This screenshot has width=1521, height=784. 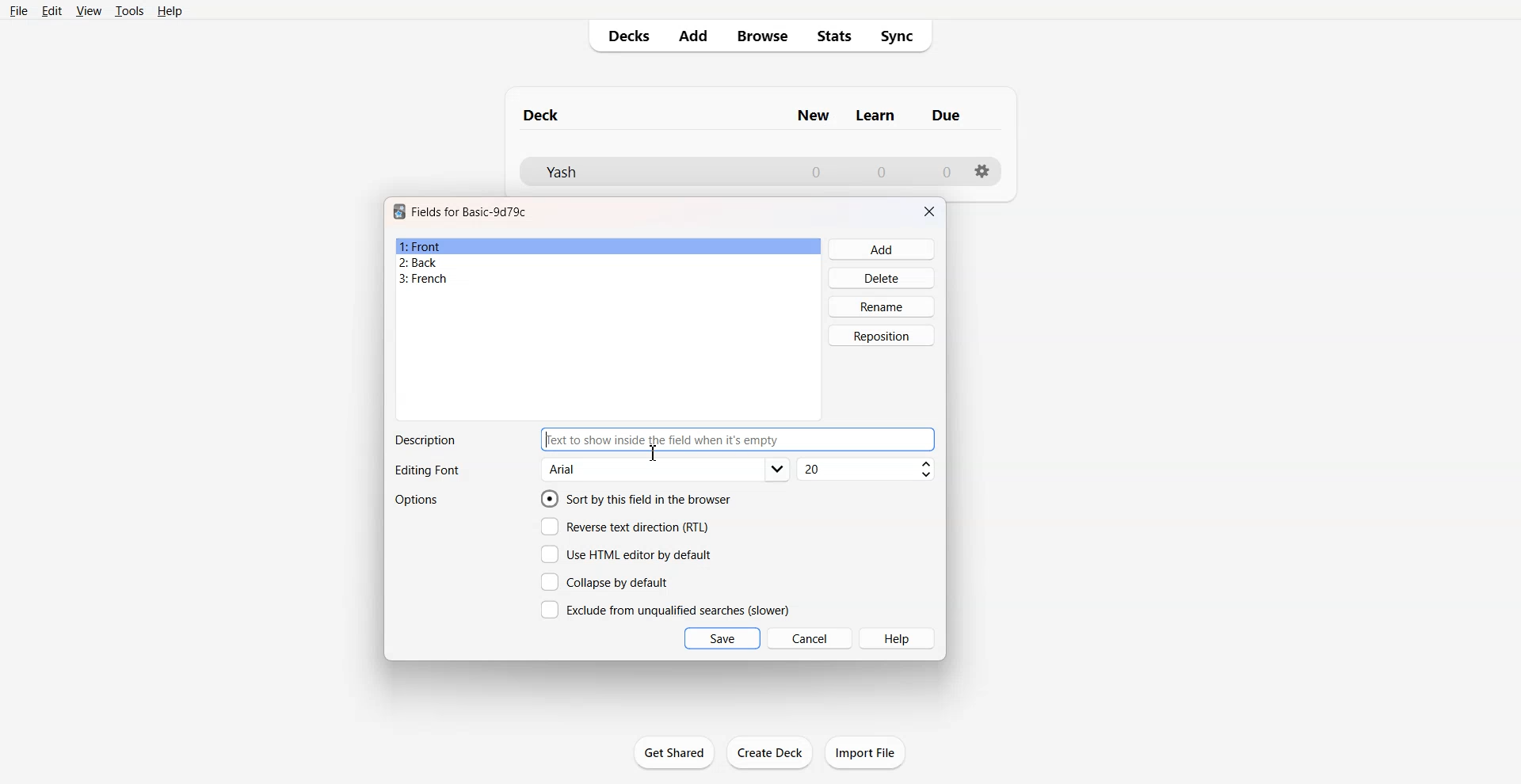 I want to click on Stats, so click(x=835, y=36).